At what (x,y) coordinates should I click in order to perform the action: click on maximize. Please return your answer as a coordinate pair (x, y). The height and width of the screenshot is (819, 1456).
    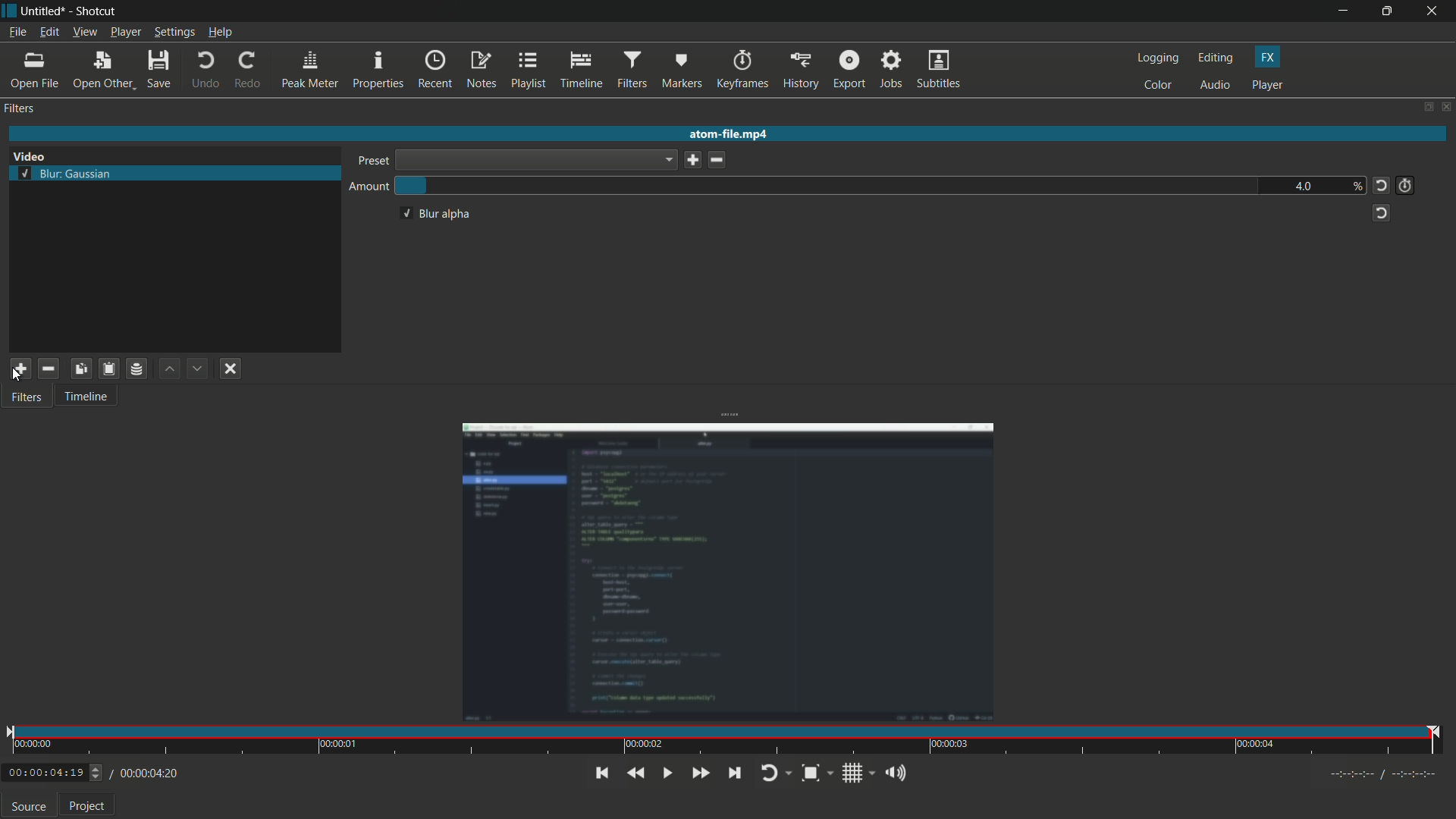
    Looking at the image, I should click on (1390, 11).